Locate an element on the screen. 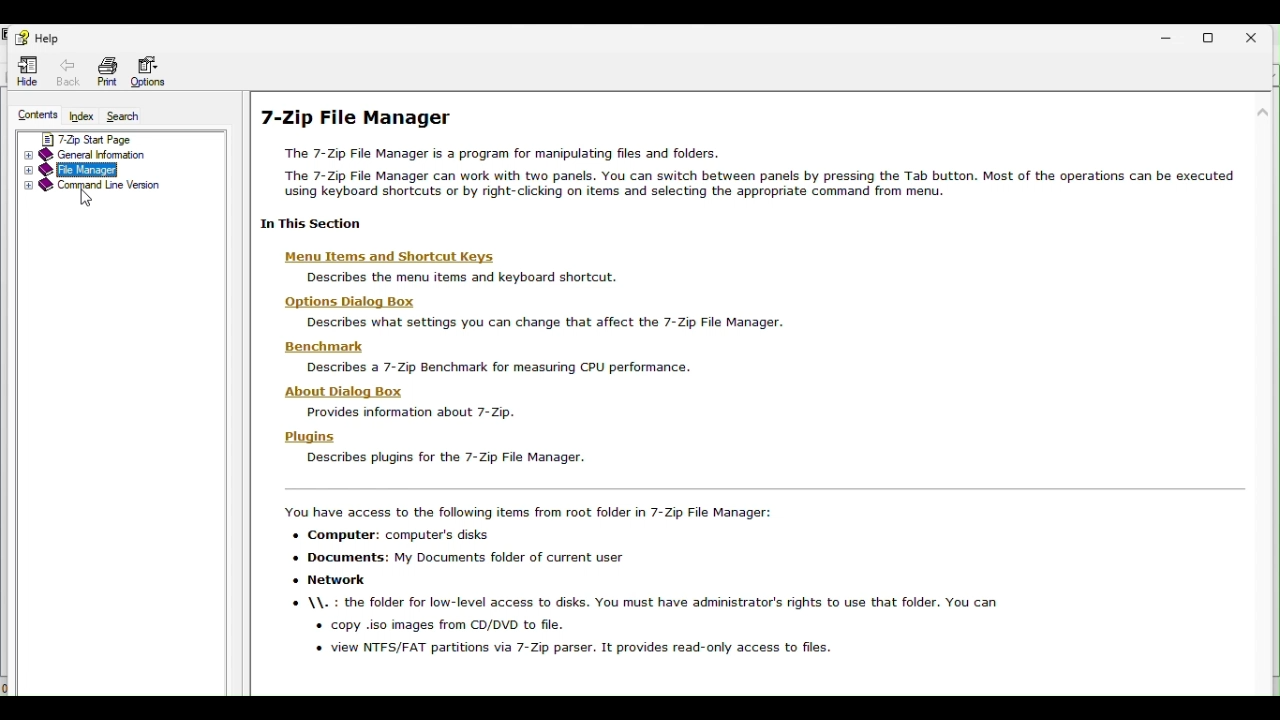 The height and width of the screenshot is (720, 1280). Index is located at coordinates (81, 117).